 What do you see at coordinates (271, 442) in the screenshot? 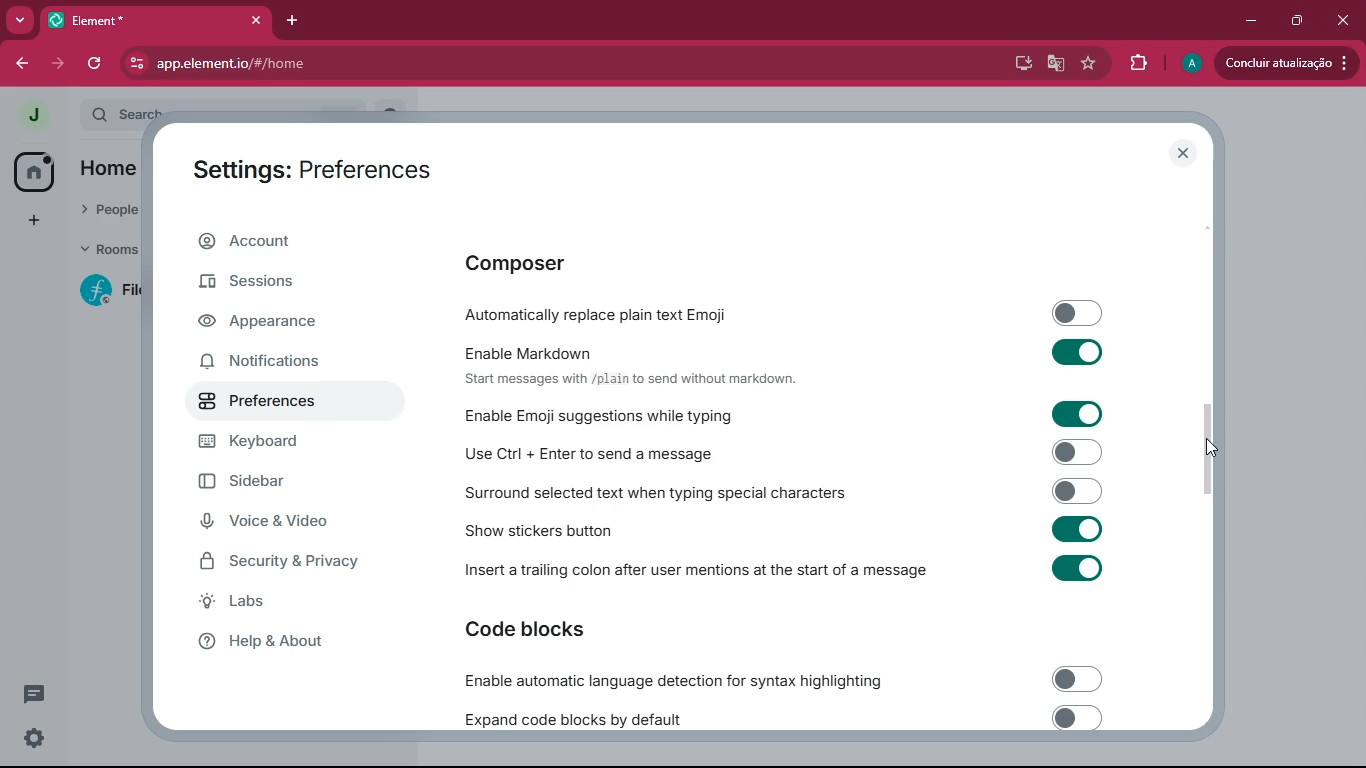
I see `keyboard` at bounding box center [271, 442].